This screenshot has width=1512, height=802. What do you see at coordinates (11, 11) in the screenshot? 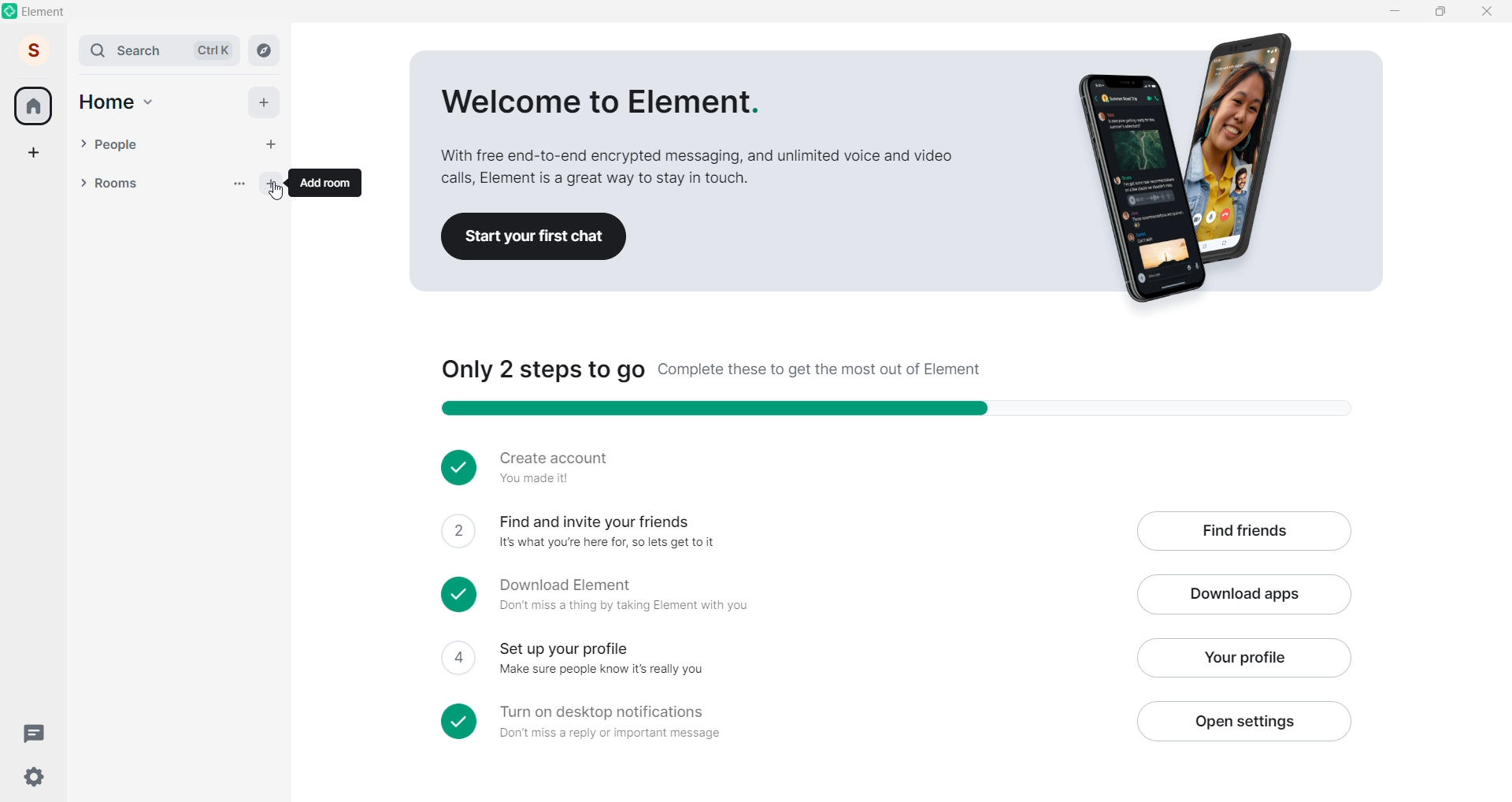
I see `Logo` at bounding box center [11, 11].